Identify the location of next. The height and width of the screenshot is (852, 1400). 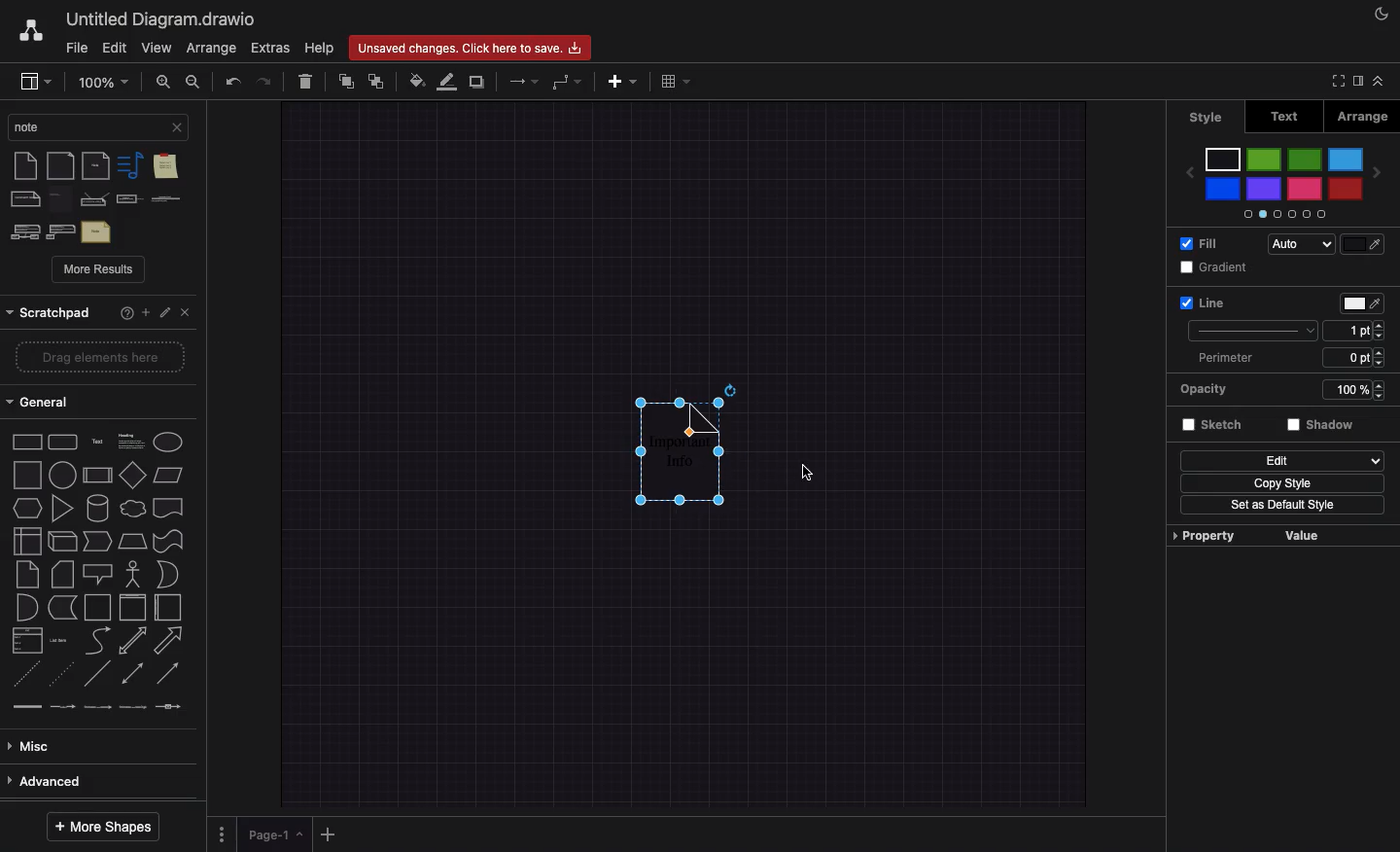
(1378, 177).